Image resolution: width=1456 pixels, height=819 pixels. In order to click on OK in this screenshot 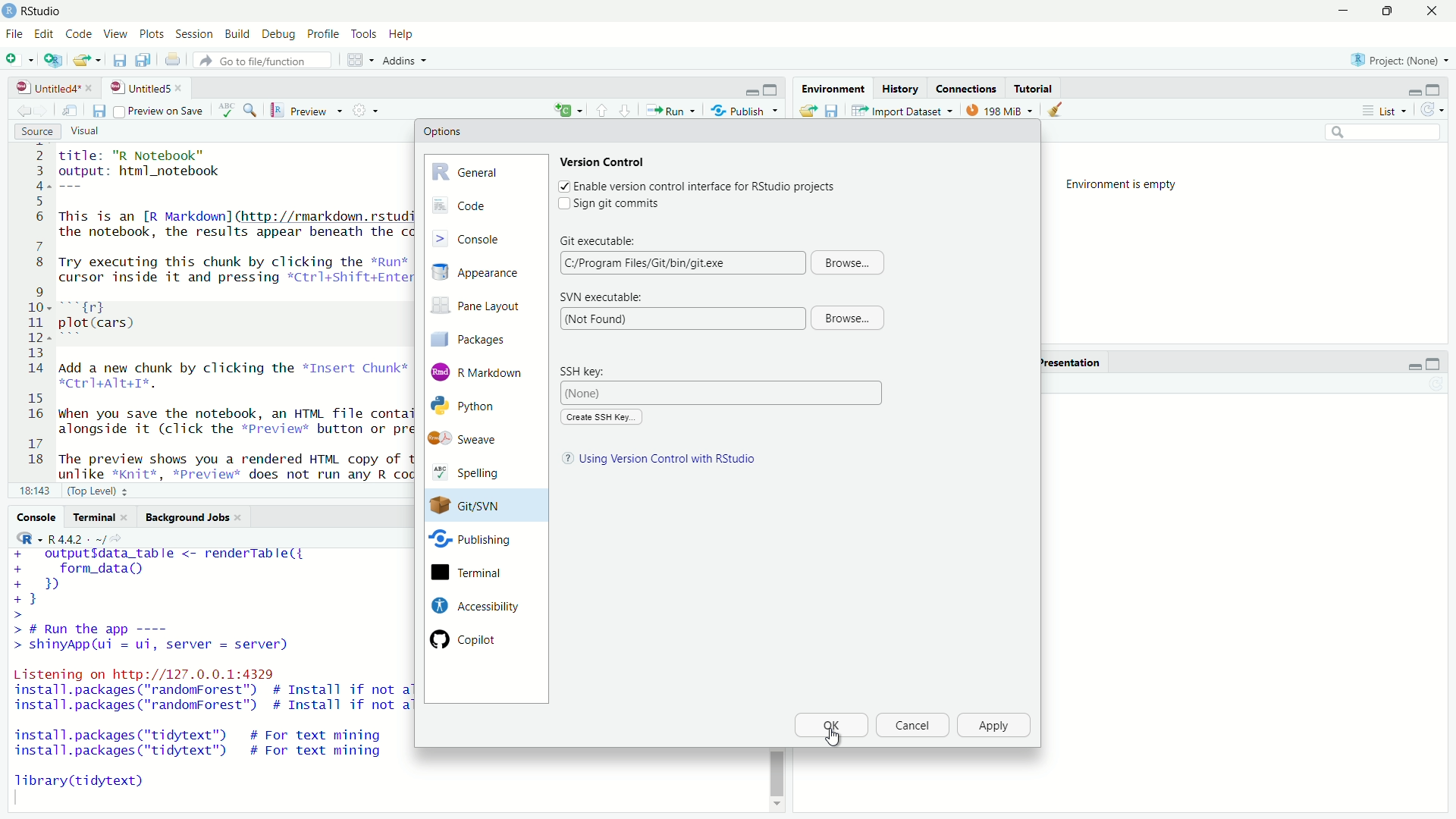, I will do `click(830, 726)`.